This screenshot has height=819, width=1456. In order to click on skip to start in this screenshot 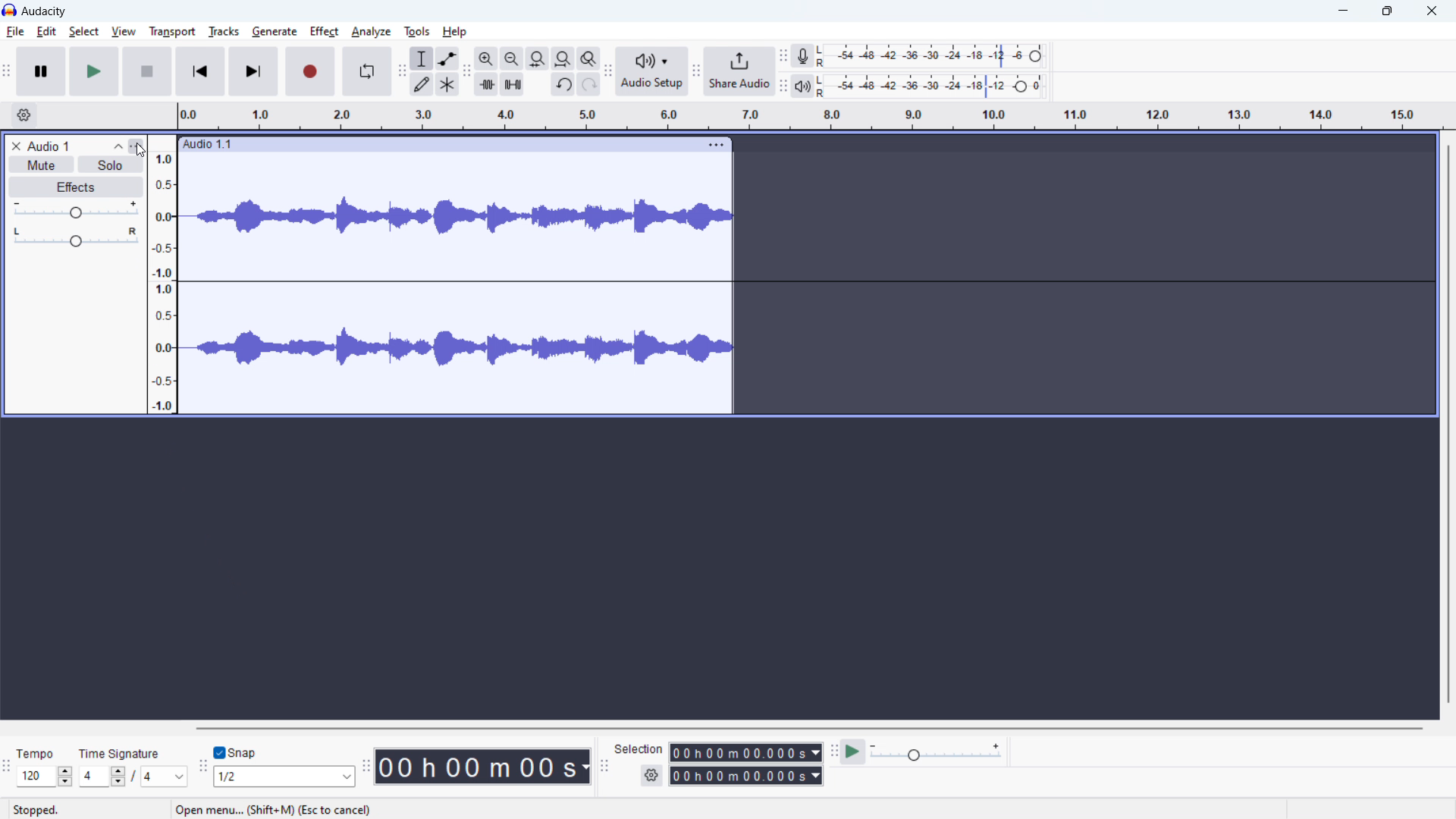, I will do `click(199, 71)`.